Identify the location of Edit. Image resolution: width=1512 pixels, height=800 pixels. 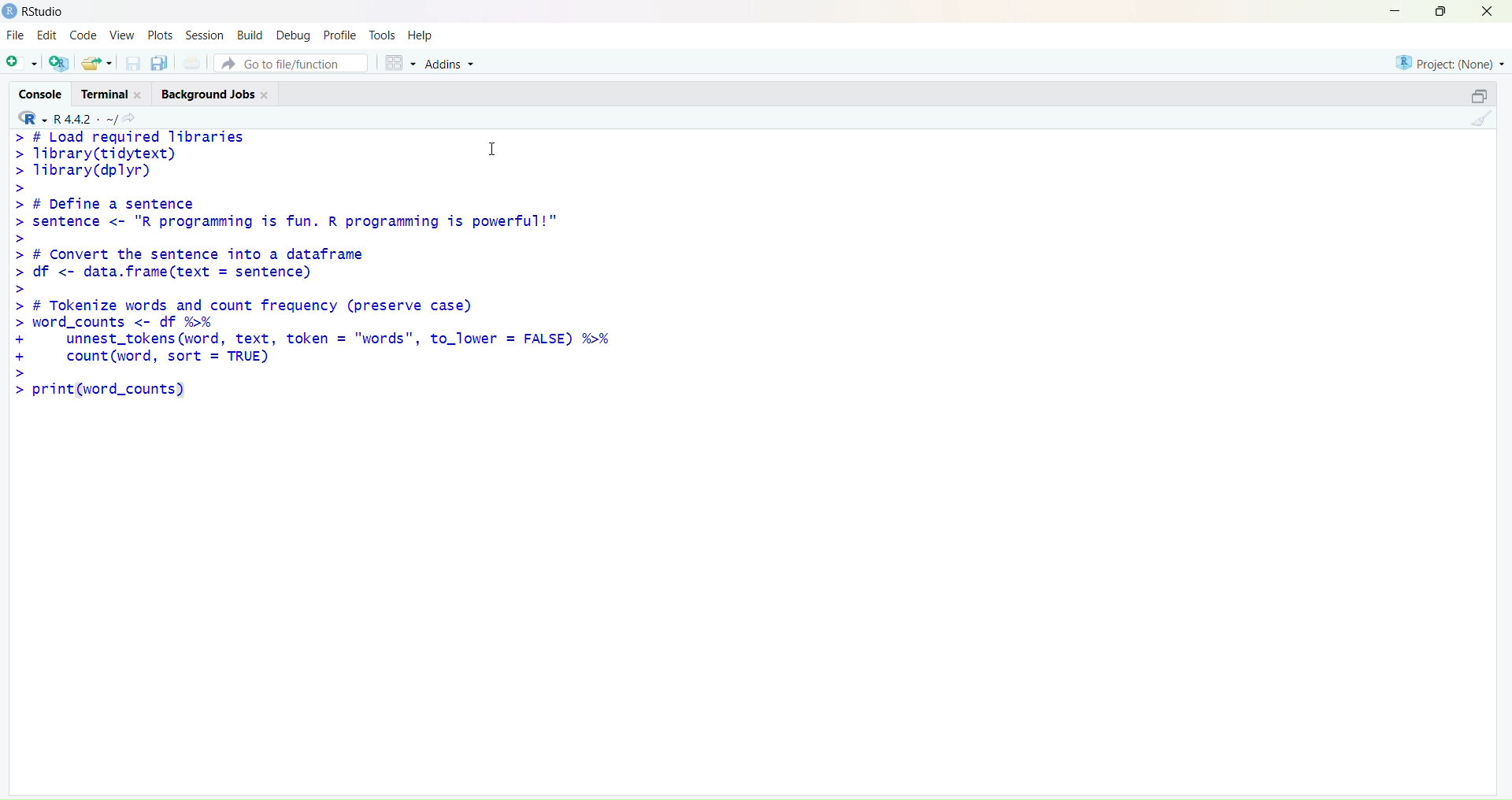
(49, 35).